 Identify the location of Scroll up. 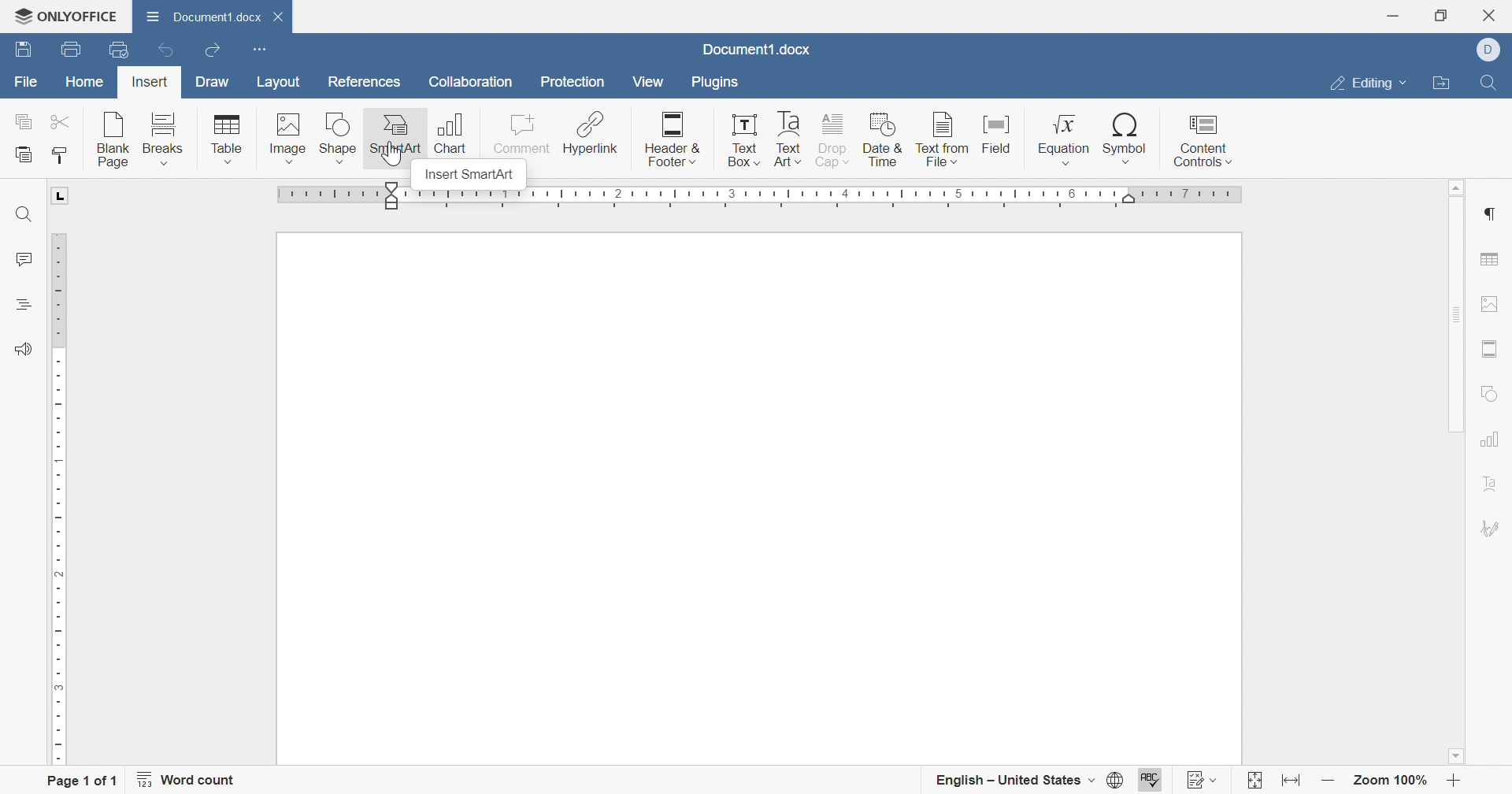
(1458, 185).